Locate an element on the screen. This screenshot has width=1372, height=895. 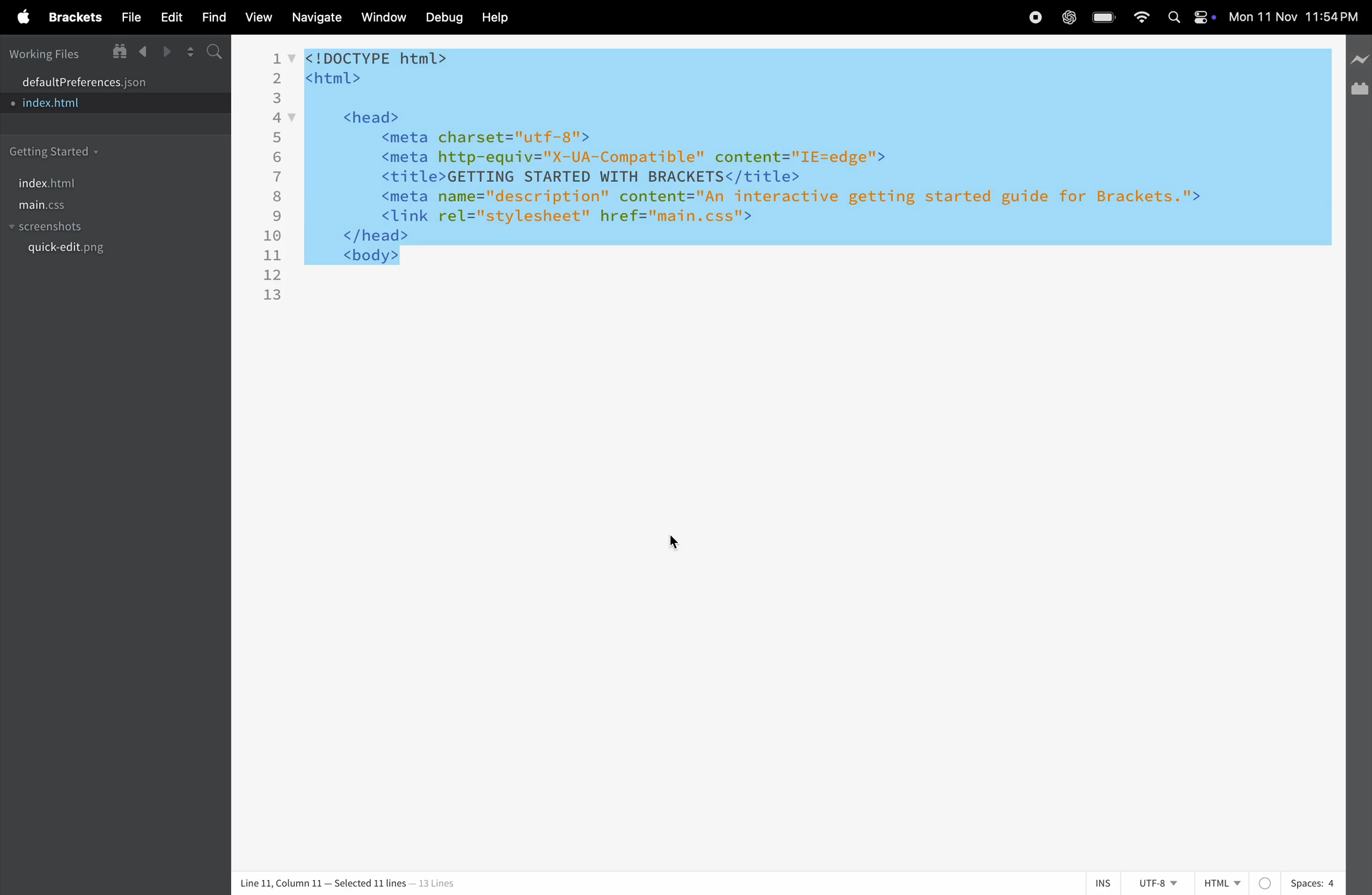
6 is located at coordinates (278, 157).